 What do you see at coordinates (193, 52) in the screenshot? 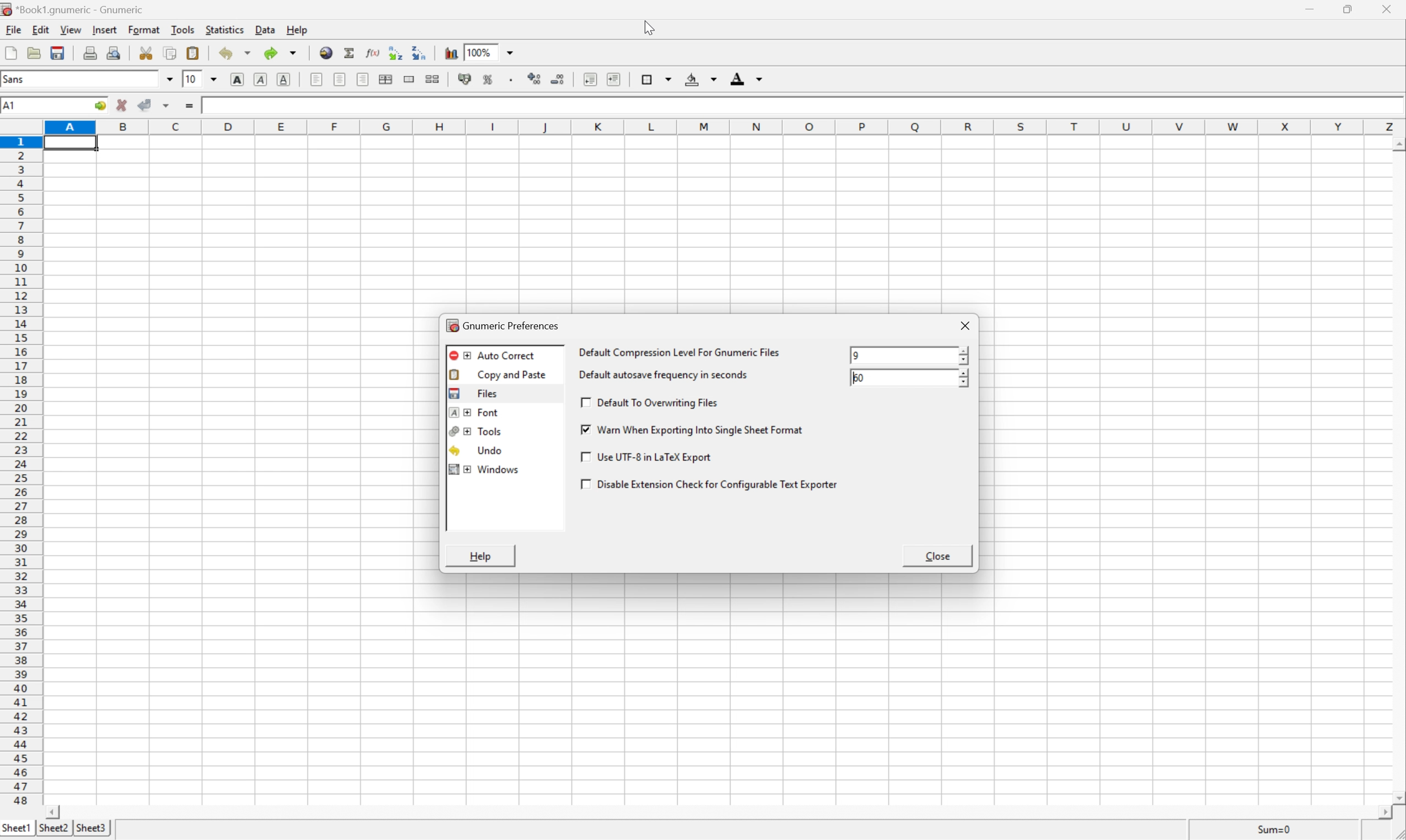
I see `paste` at bounding box center [193, 52].